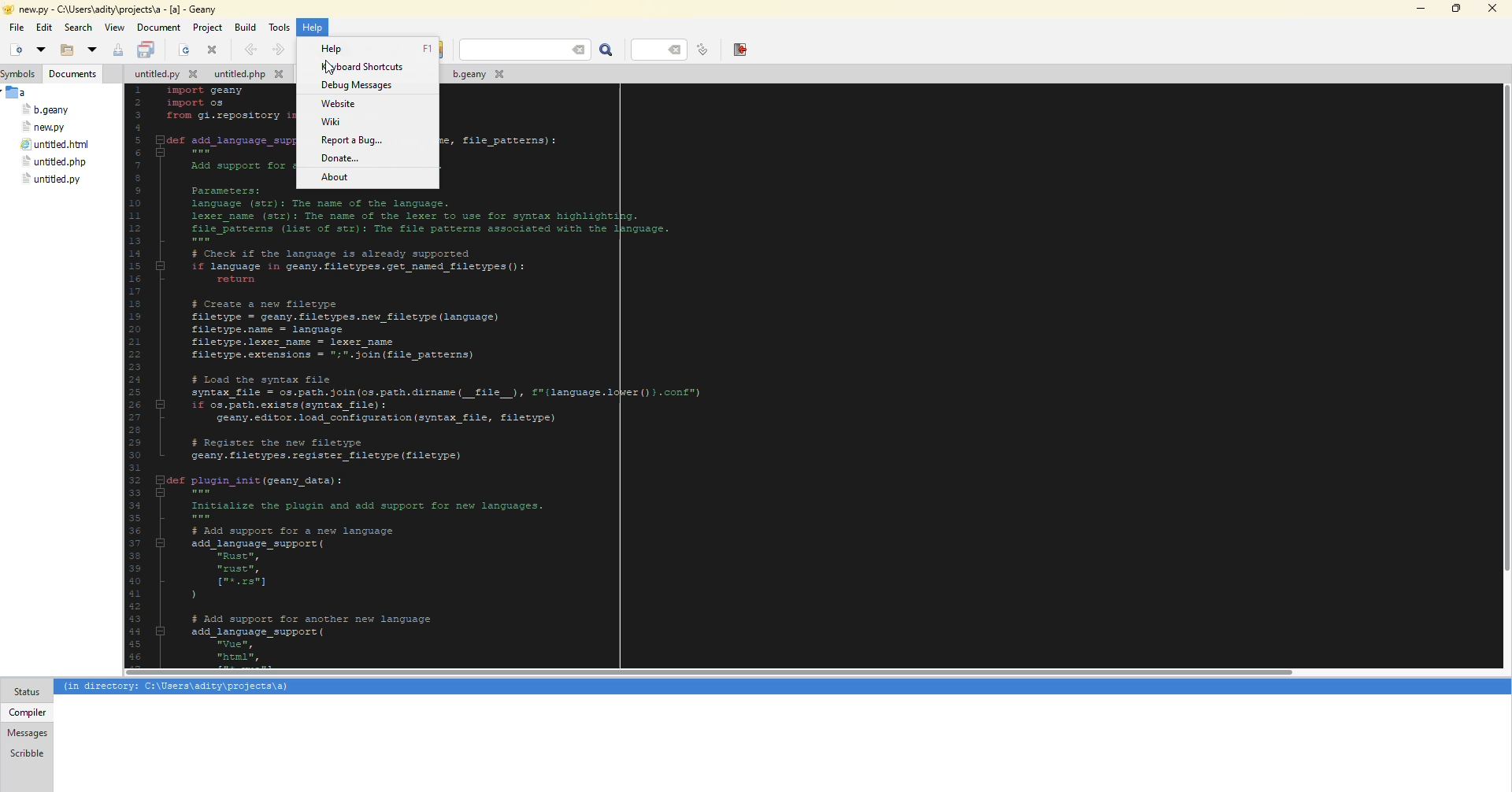  I want to click on save, so click(147, 50).